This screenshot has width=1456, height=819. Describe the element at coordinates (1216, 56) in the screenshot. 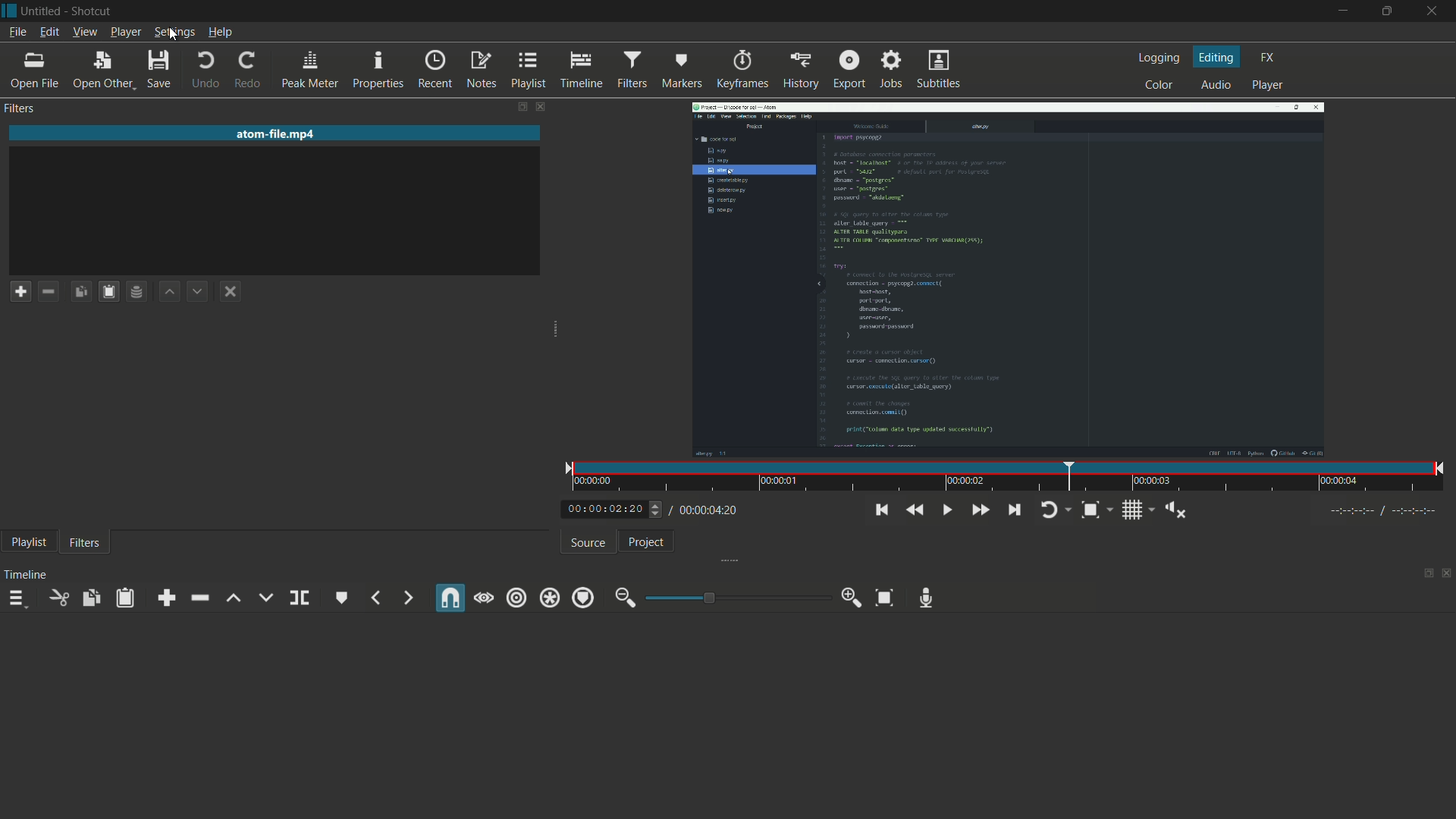

I see `editing` at that location.